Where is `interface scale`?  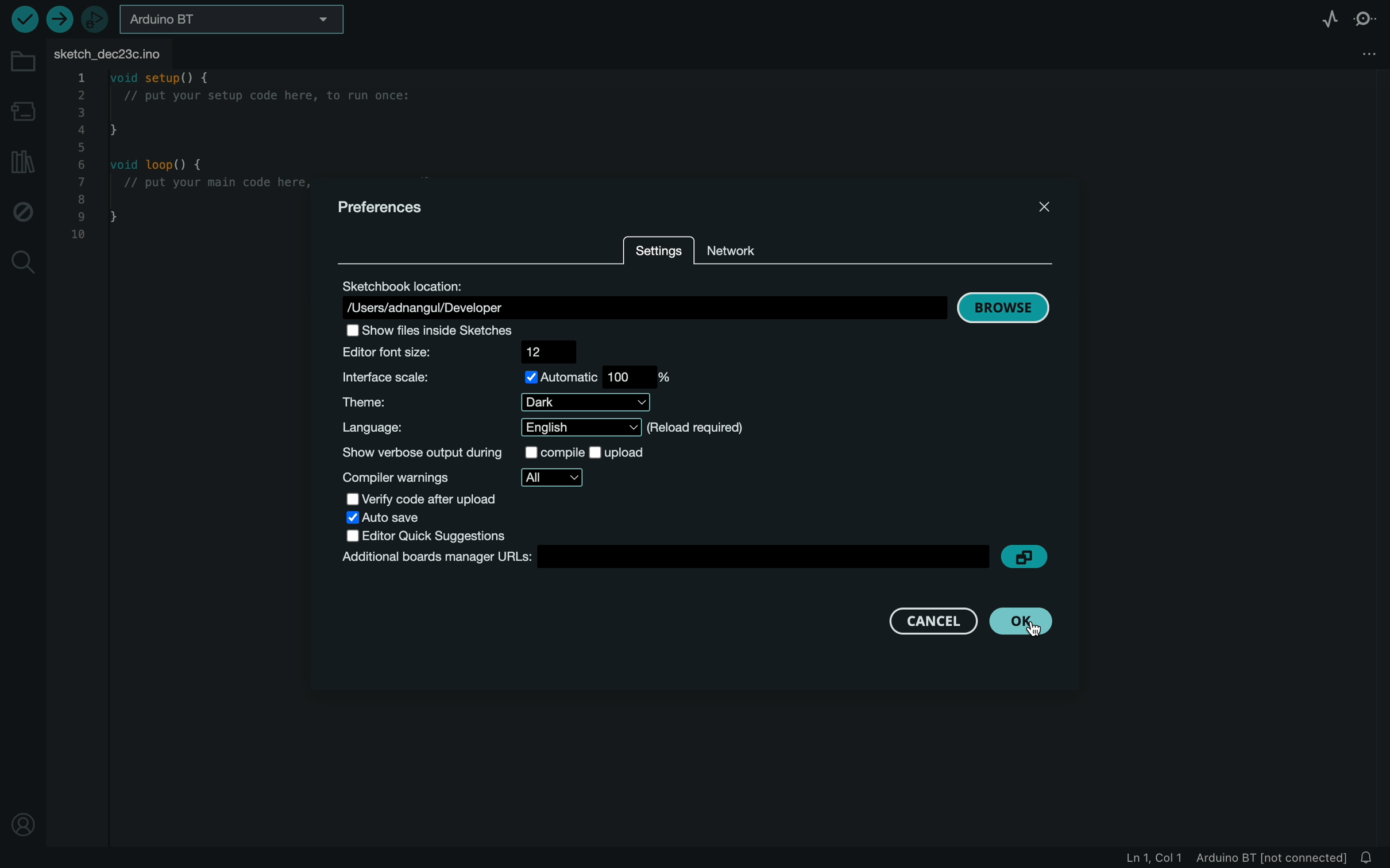 interface scale is located at coordinates (495, 375).